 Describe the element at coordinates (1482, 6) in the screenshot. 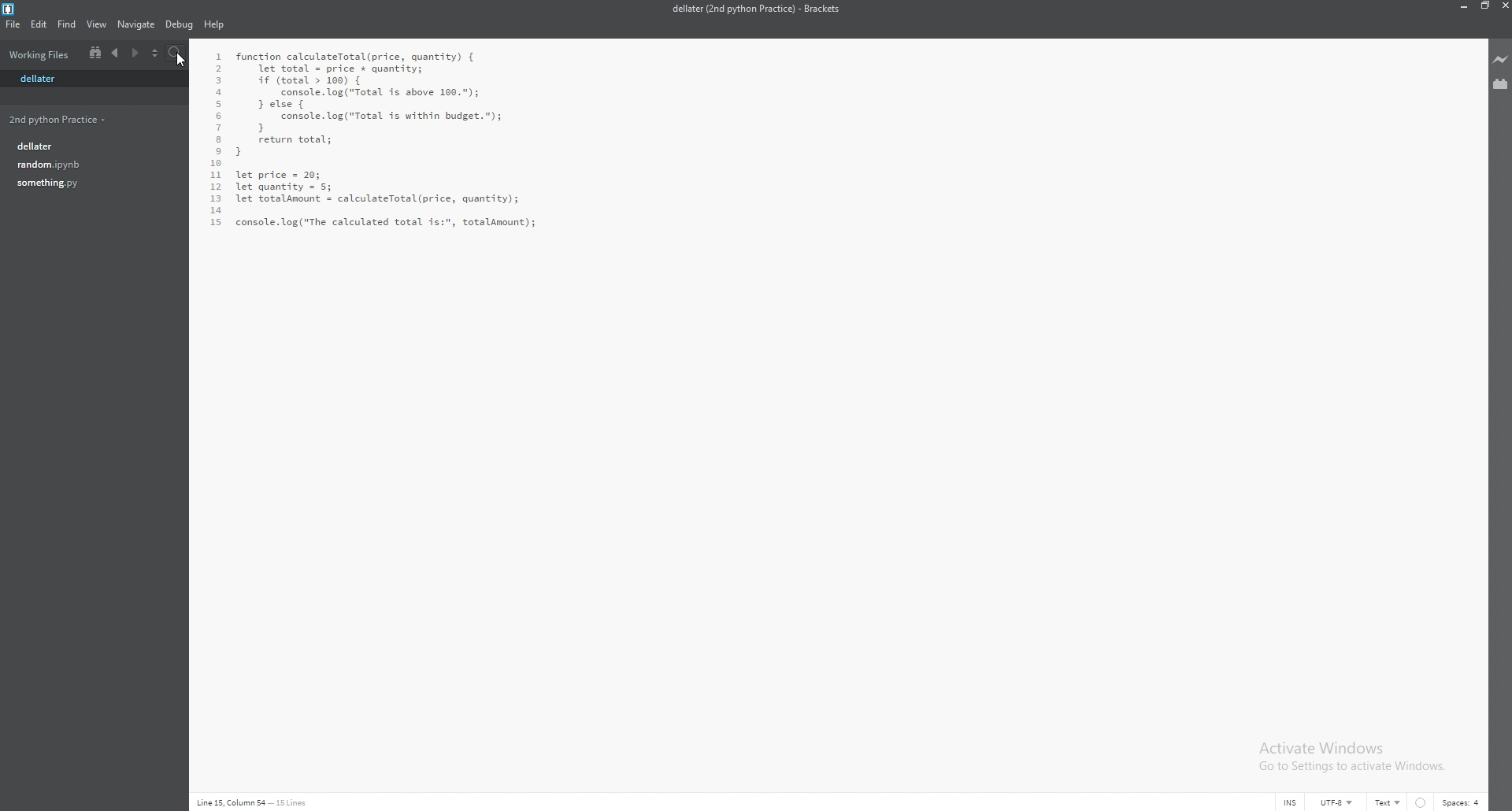

I see `resize` at that location.